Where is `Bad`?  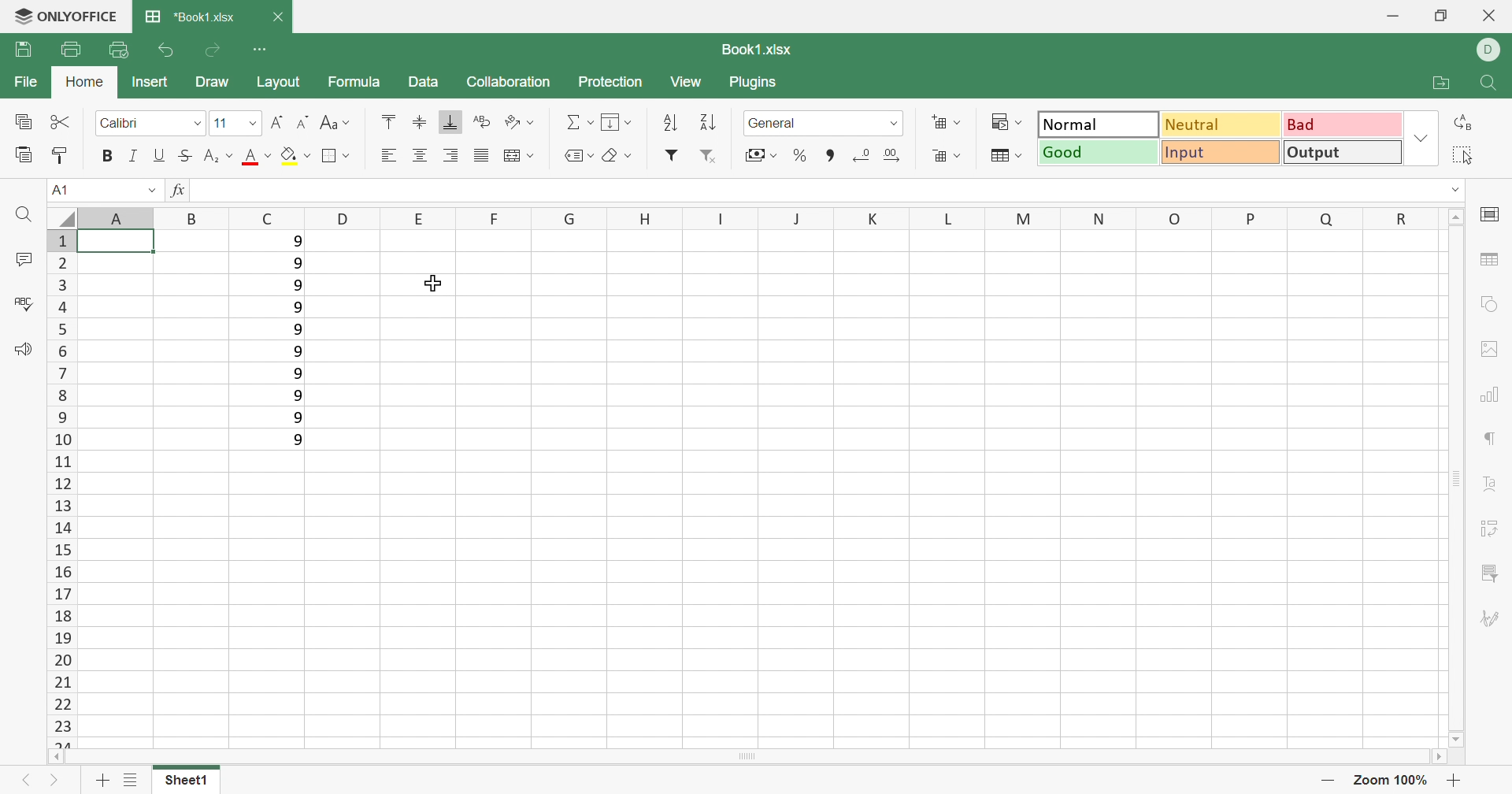 Bad is located at coordinates (1340, 125).